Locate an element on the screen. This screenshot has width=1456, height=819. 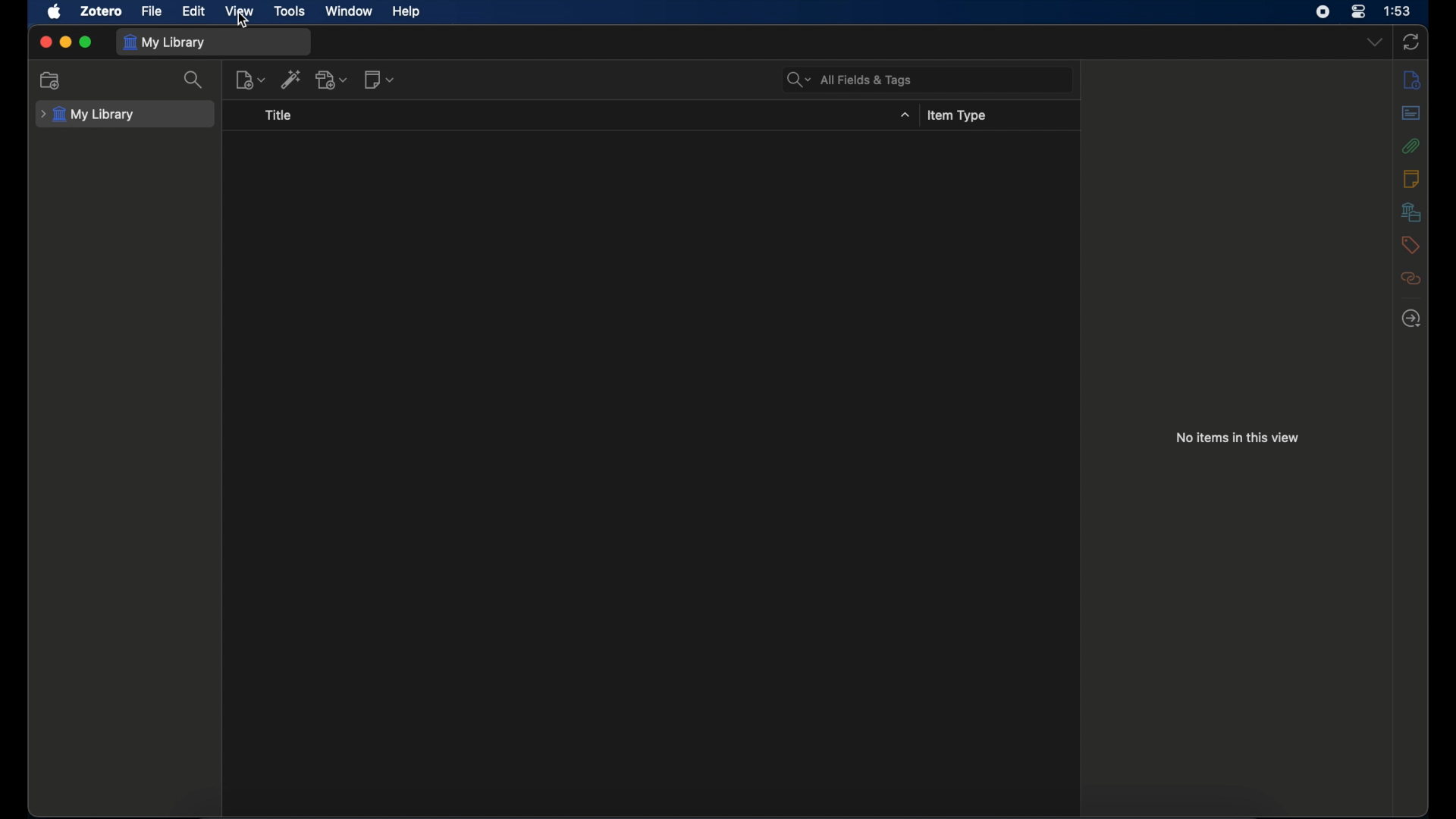
maximize is located at coordinates (86, 42).